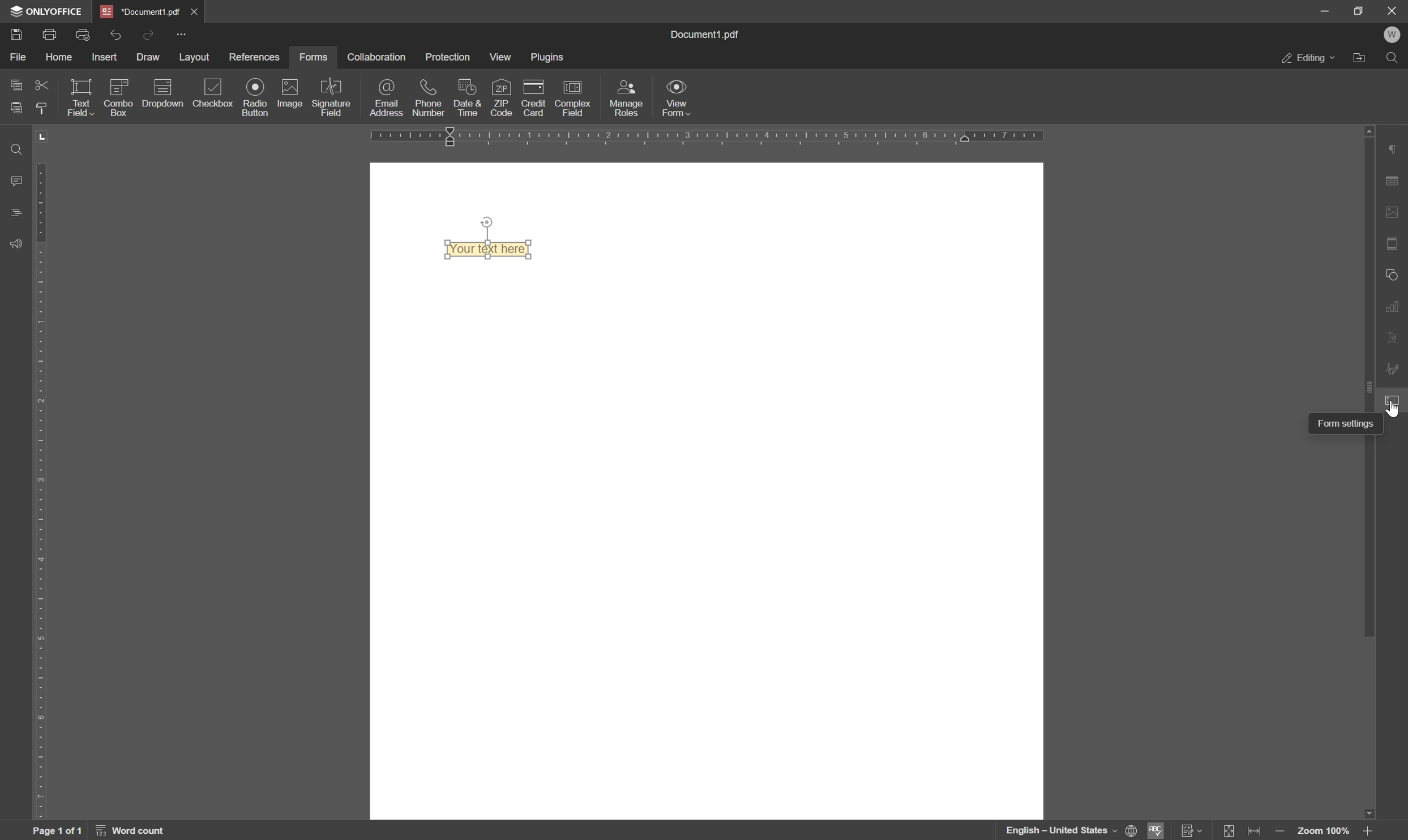 The height and width of the screenshot is (840, 1408). I want to click on zoom in, so click(1283, 832).